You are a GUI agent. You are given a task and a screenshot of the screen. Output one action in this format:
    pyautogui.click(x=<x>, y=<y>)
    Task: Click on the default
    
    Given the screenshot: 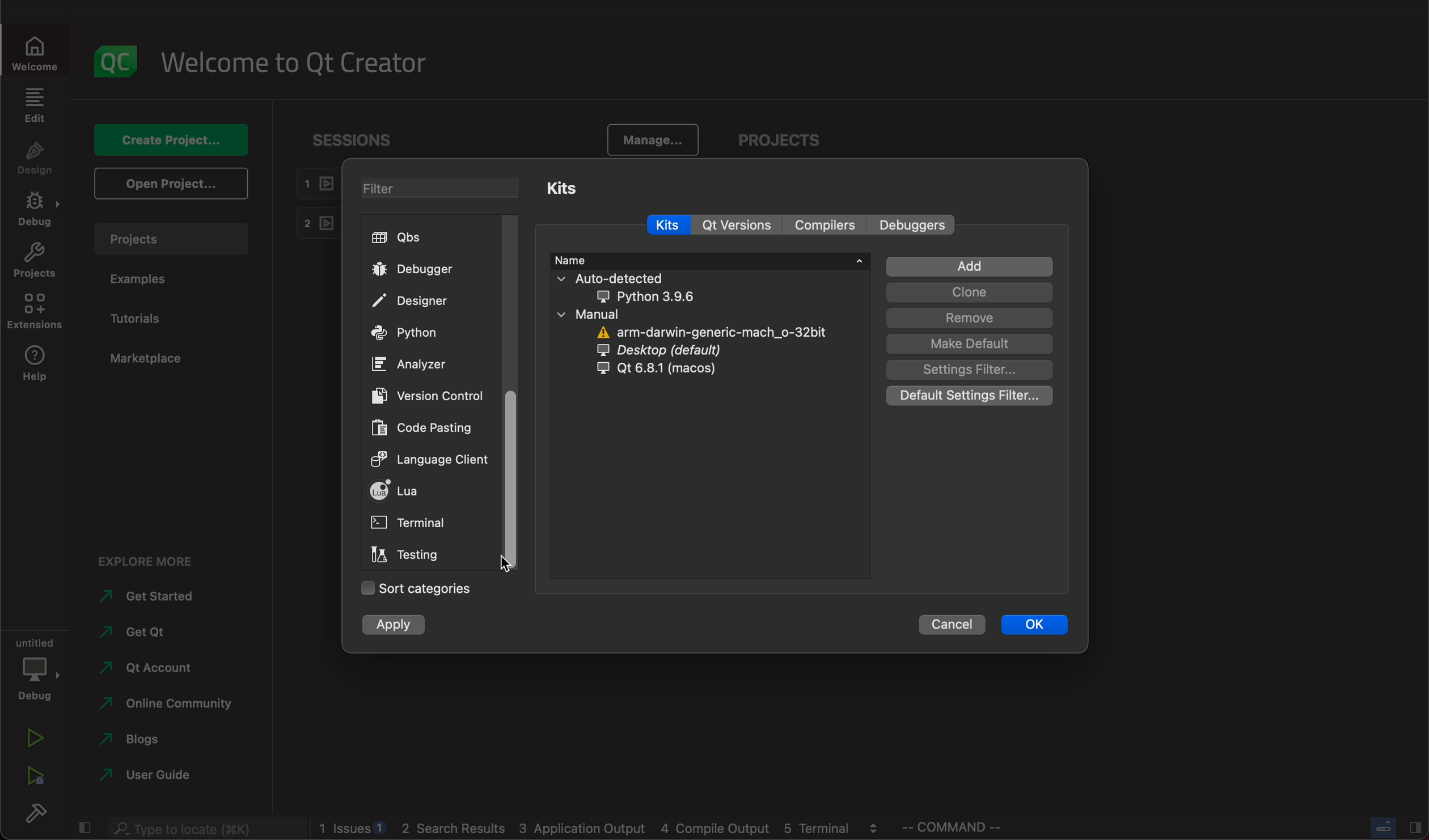 What is the action you would take?
    pyautogui.click(x=970, y=344)
    